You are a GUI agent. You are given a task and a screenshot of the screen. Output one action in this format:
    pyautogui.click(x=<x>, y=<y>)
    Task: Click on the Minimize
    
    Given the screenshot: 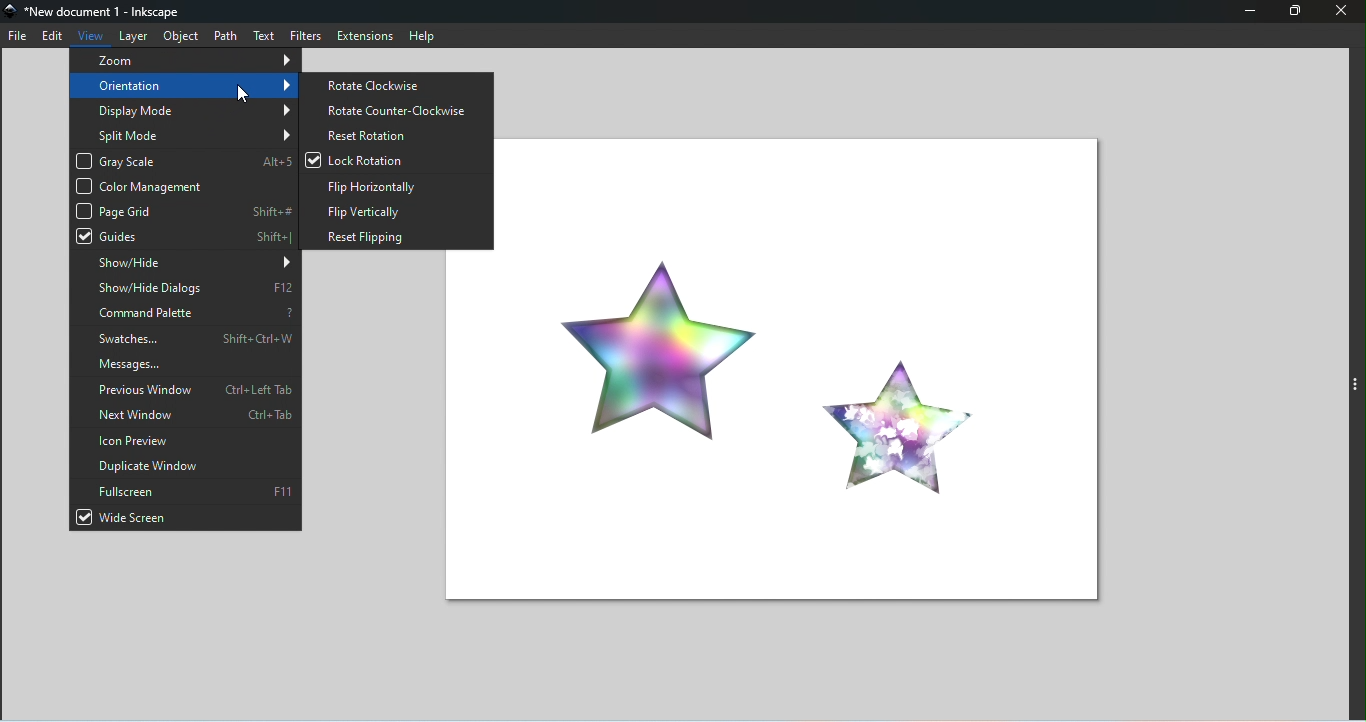 What is the action you would take?
    pyautogui.click(x=1253, y=13)
    